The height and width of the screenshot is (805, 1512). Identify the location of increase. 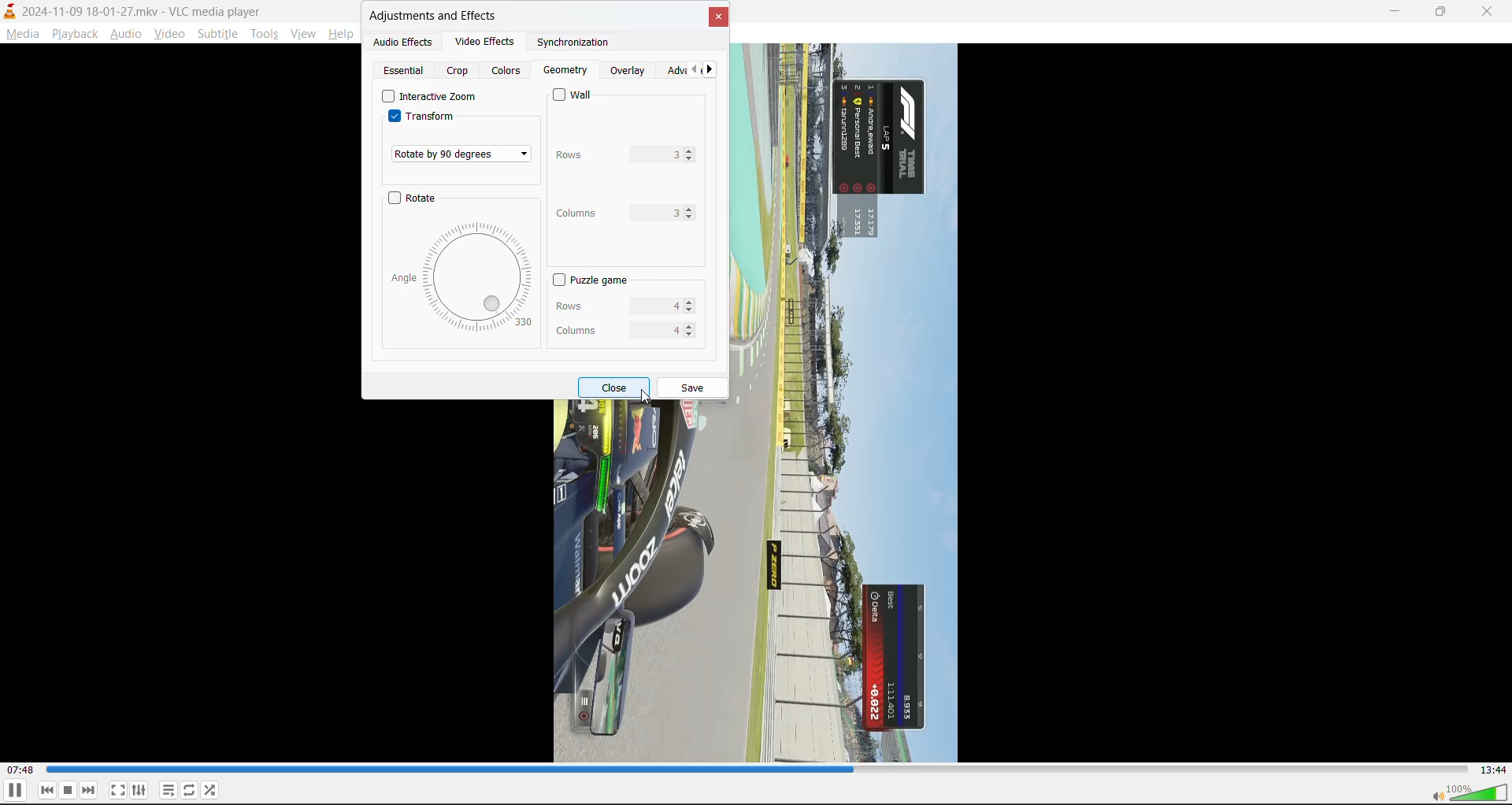
(693, 302).